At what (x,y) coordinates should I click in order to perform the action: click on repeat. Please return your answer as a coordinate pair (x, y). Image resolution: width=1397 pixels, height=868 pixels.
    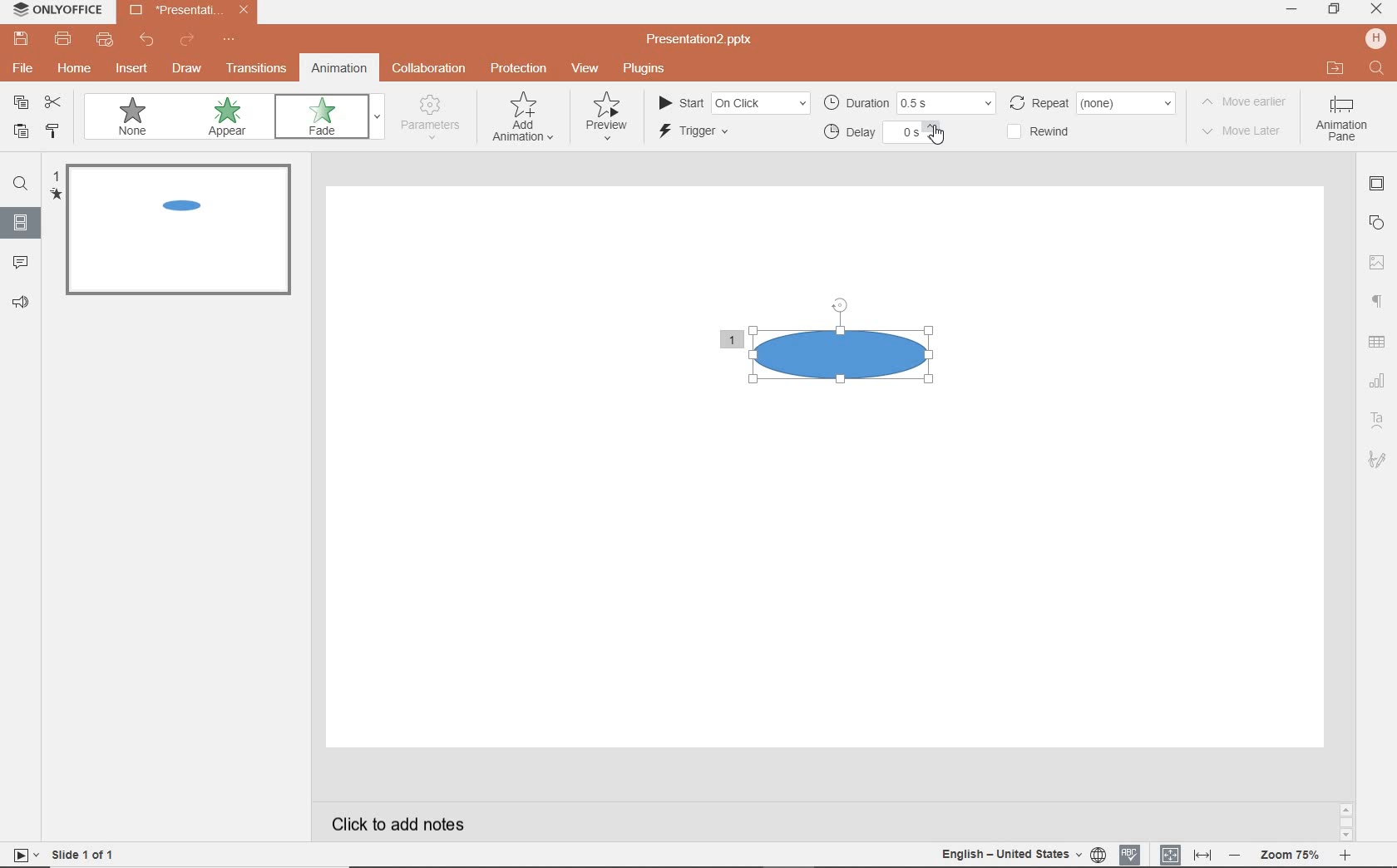
    Looking at the image, I should click on (1093, 102).